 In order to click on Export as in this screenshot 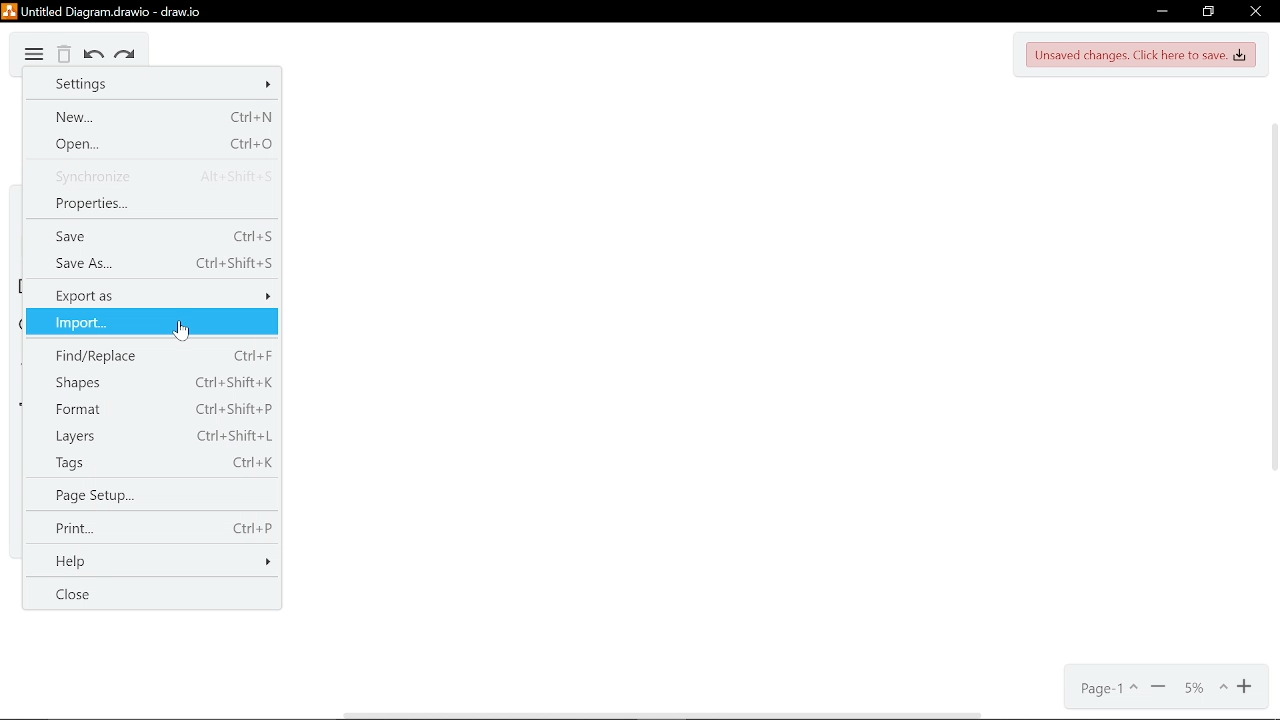, I will do `click(154, 294)`.